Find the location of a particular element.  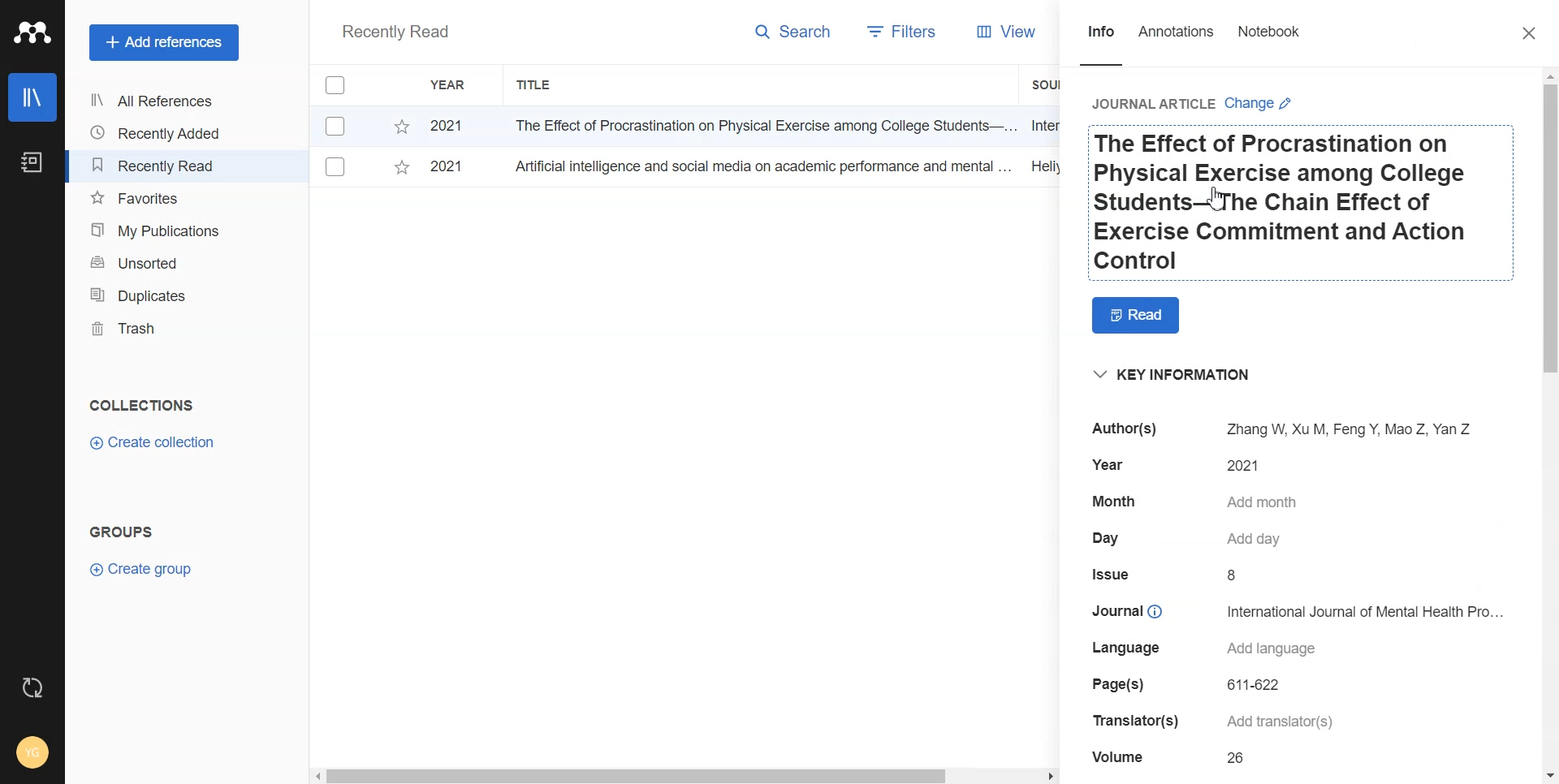

Annotations is located at coordinates (1178, 44).